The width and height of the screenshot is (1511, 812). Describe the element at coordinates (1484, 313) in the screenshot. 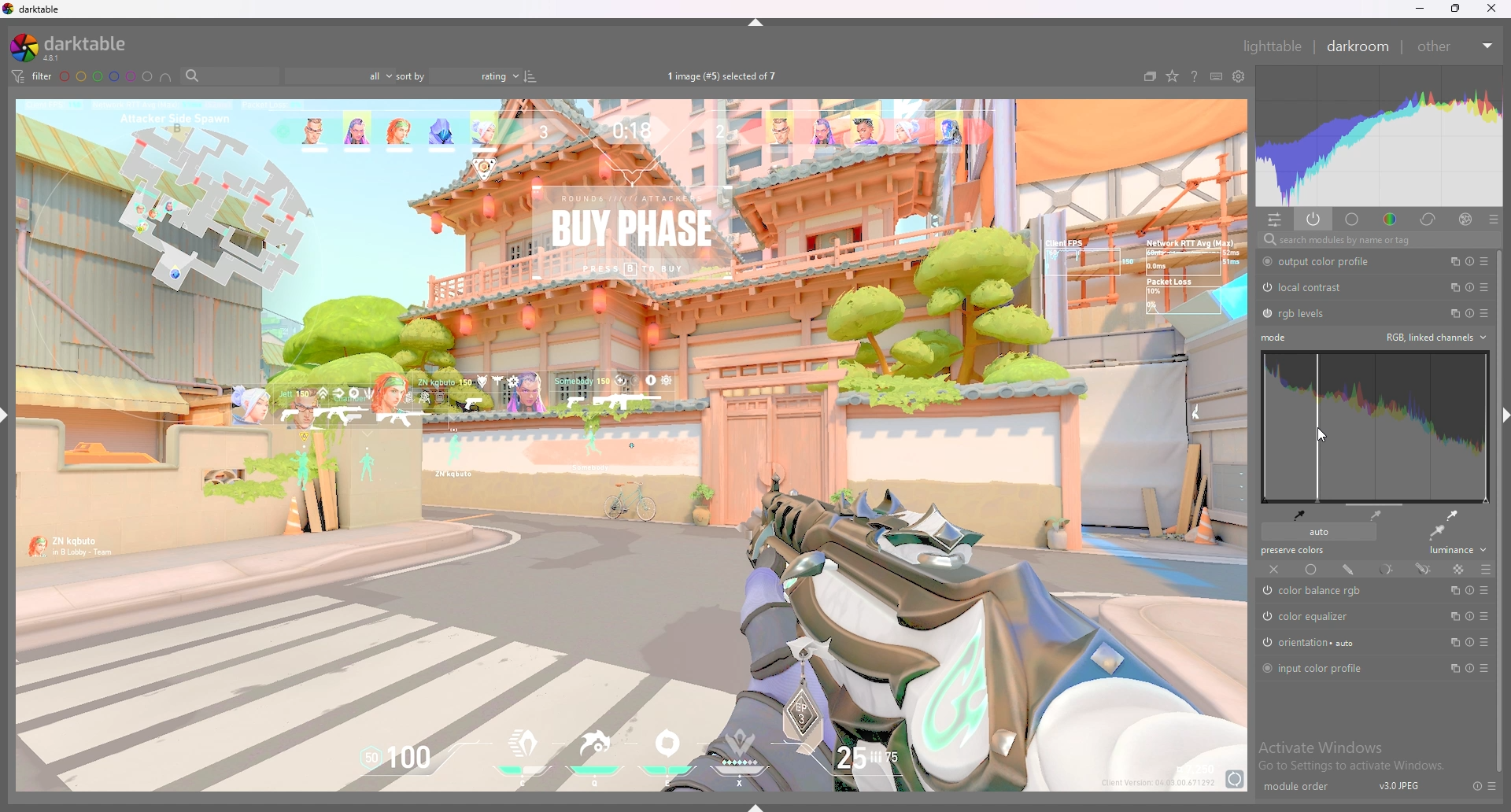

I see `presets` at that location.